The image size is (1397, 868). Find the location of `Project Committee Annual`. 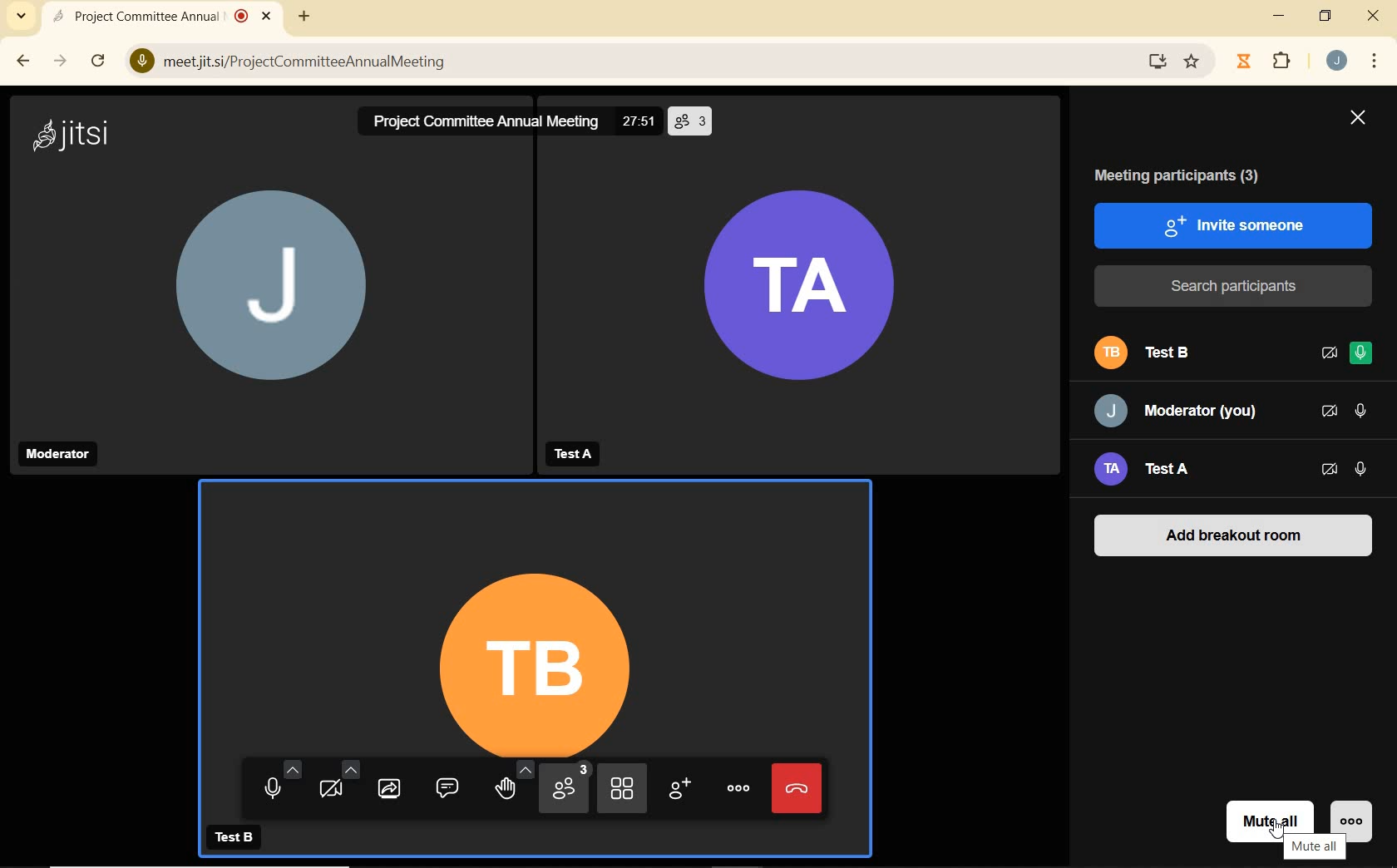

Project Committee Annual is located at coordinates (136, 15).